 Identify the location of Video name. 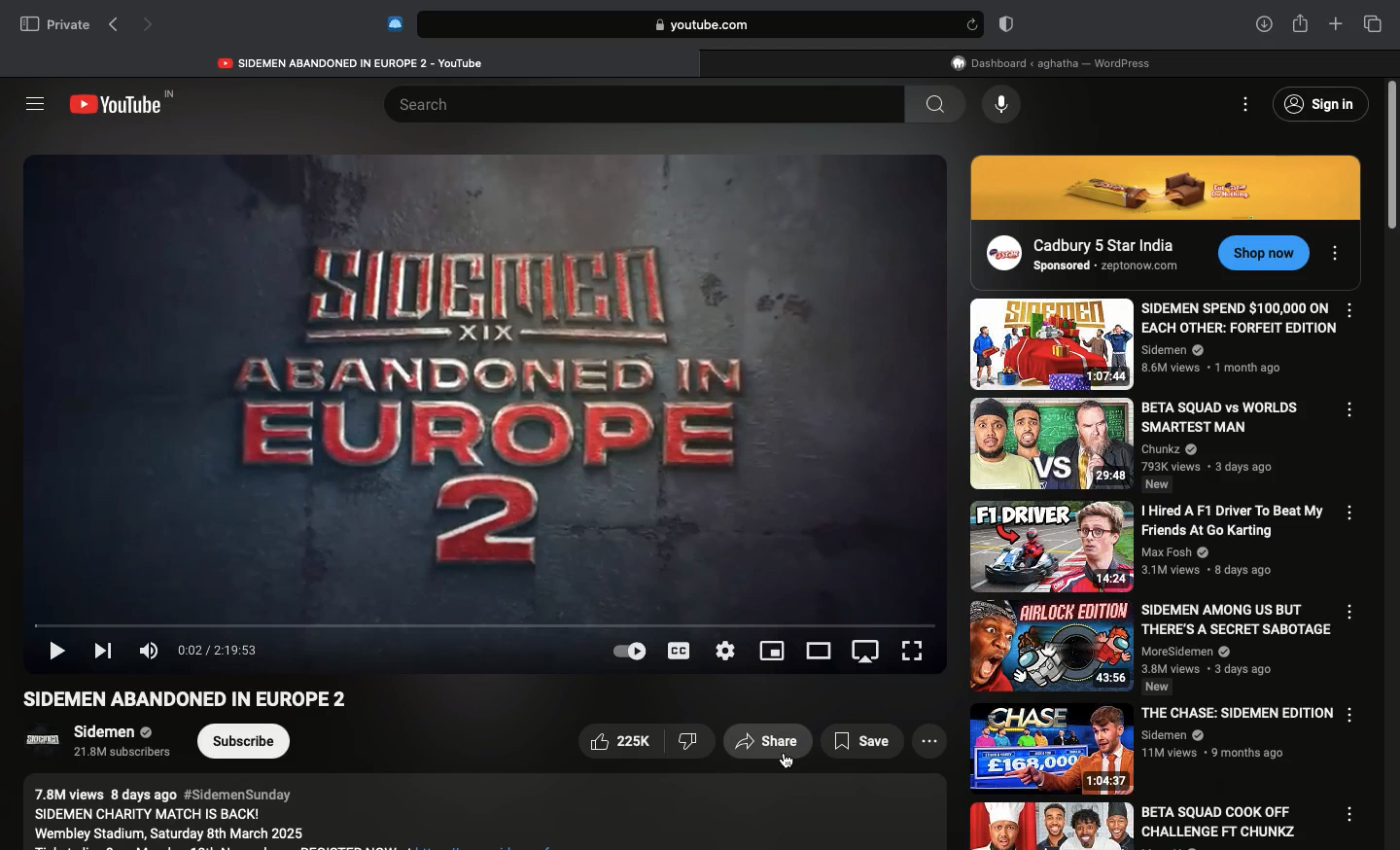
(1144, 827).